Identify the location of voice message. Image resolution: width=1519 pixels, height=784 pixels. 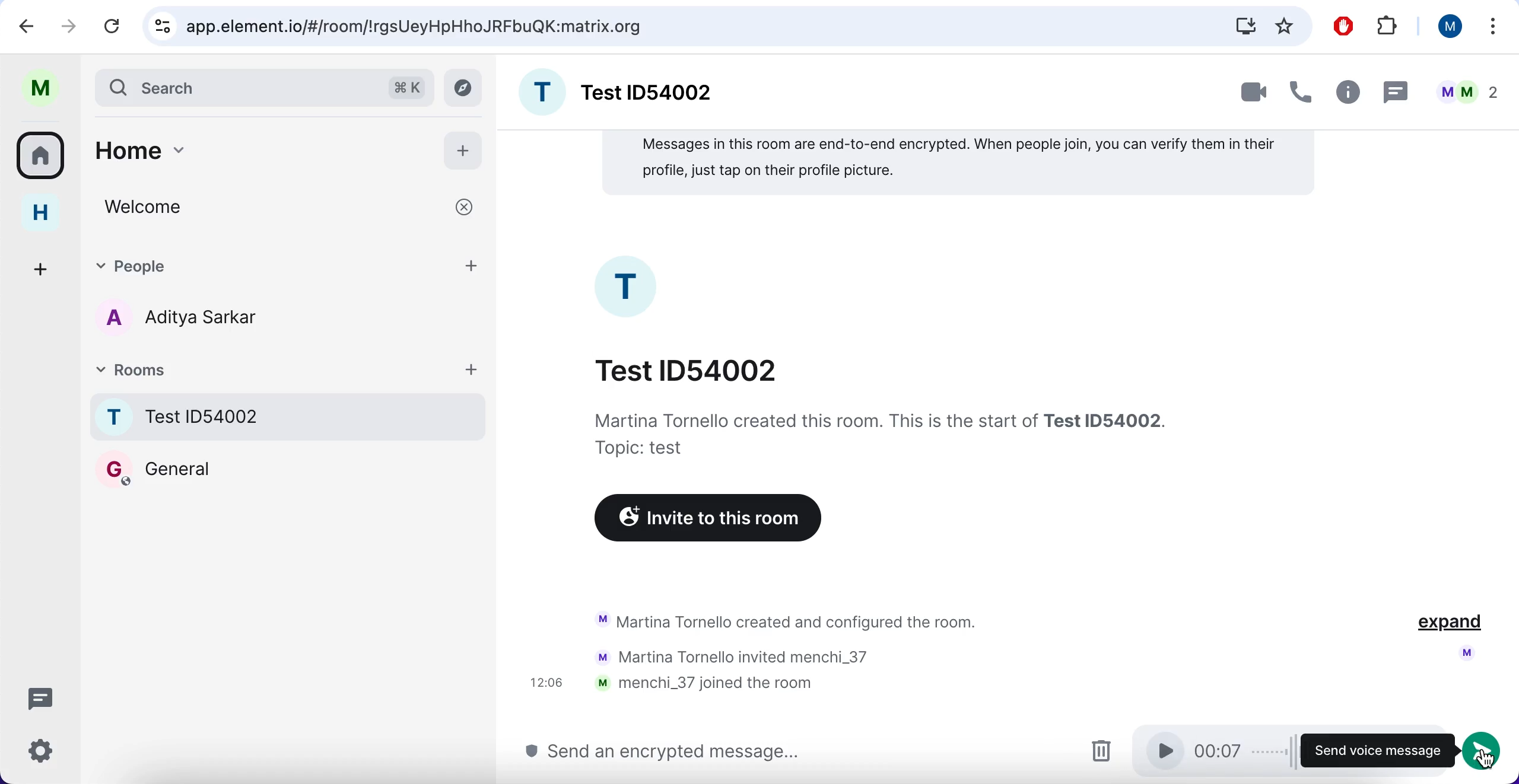
(1204, 752).